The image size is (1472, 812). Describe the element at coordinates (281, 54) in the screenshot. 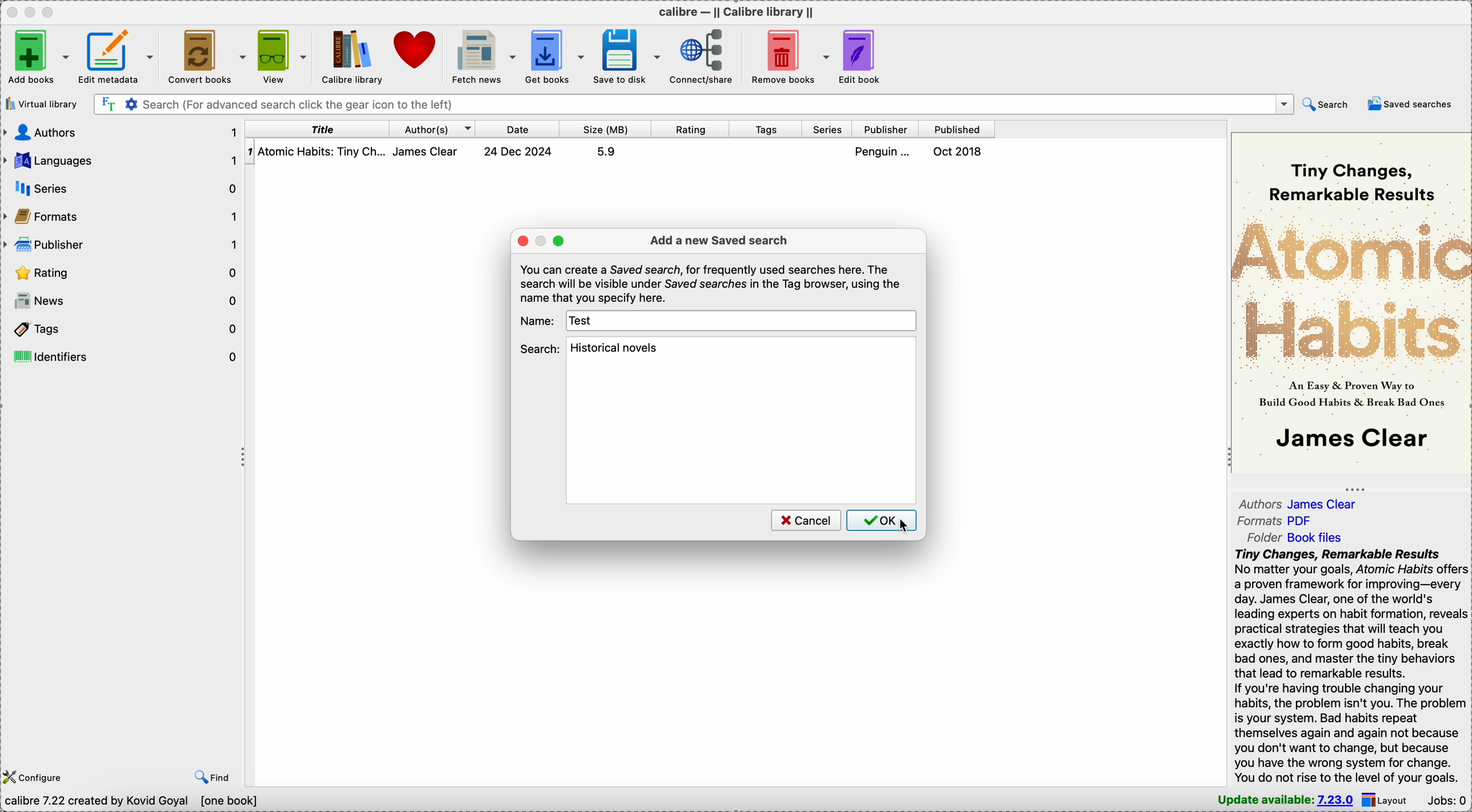

I see `view` at that location.